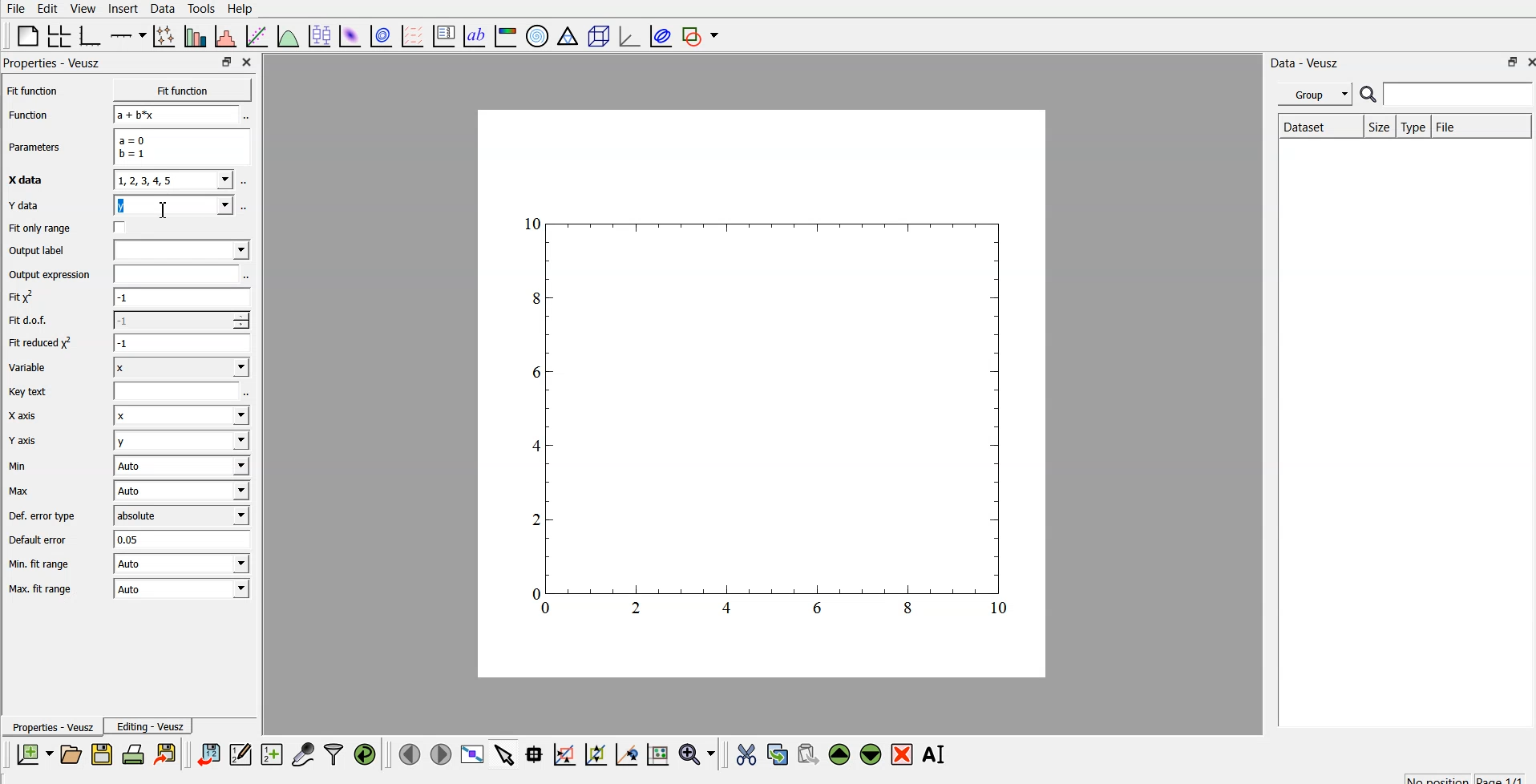  Describe the element at coordinates (567, 756) in the screenshot. I see `click or draw a rectangle to zoom on graph axes` at that location.